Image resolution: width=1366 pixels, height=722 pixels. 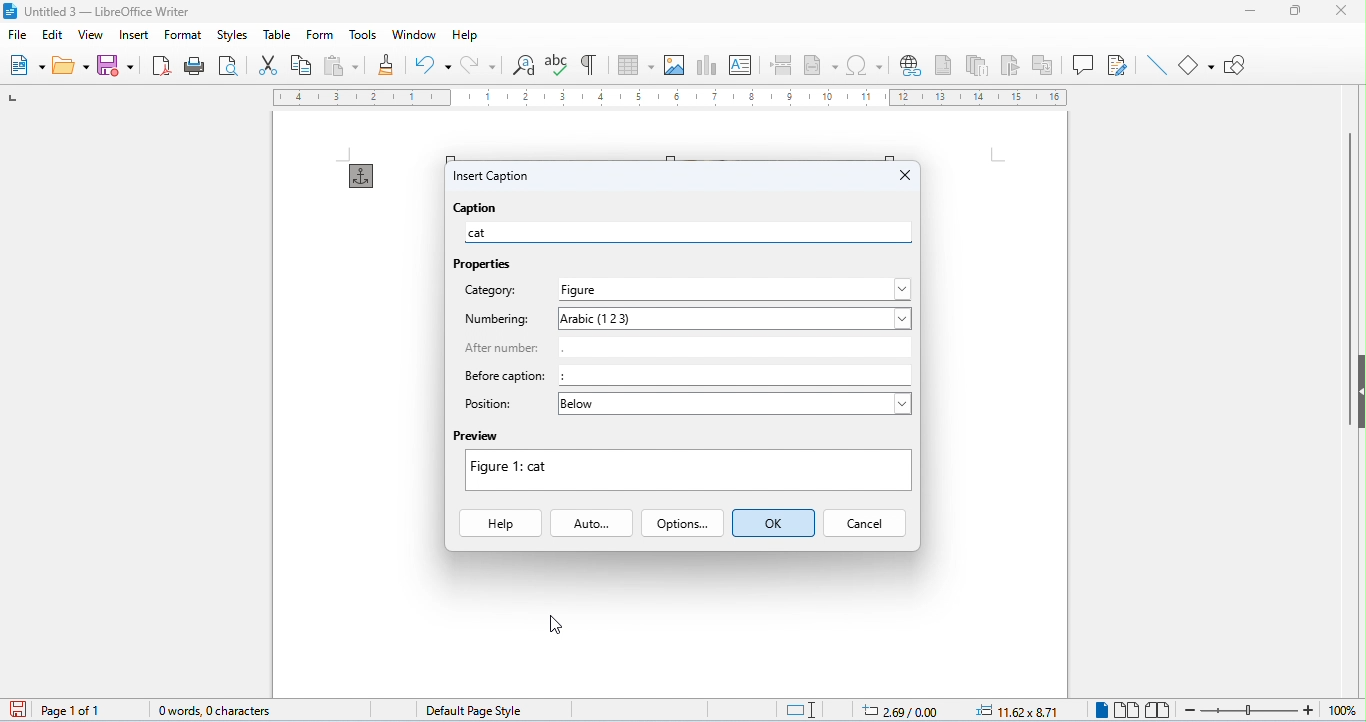 I want to click on close, so click(x=904, y=176).